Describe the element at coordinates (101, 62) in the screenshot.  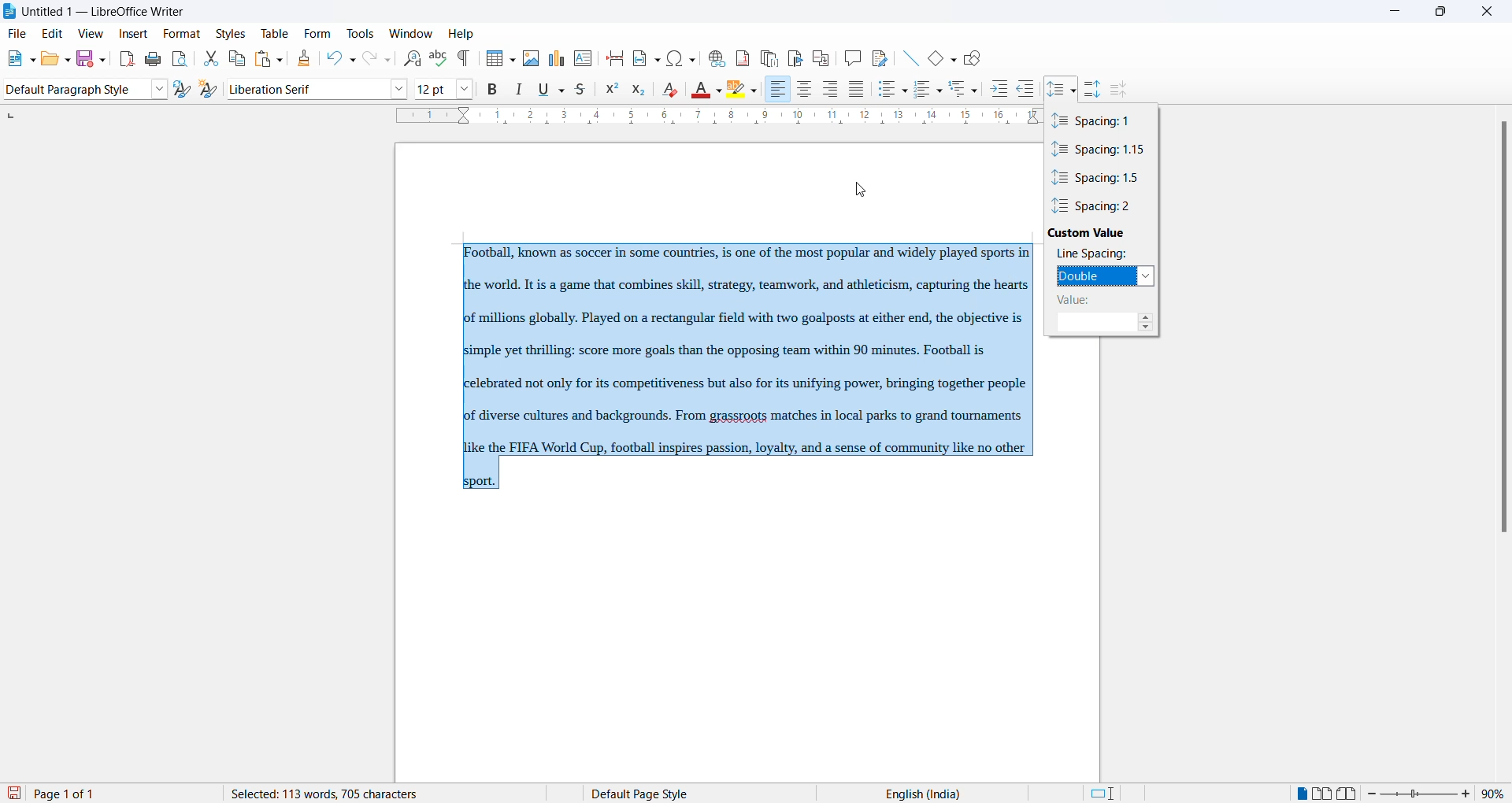
I see `save options` at that location.